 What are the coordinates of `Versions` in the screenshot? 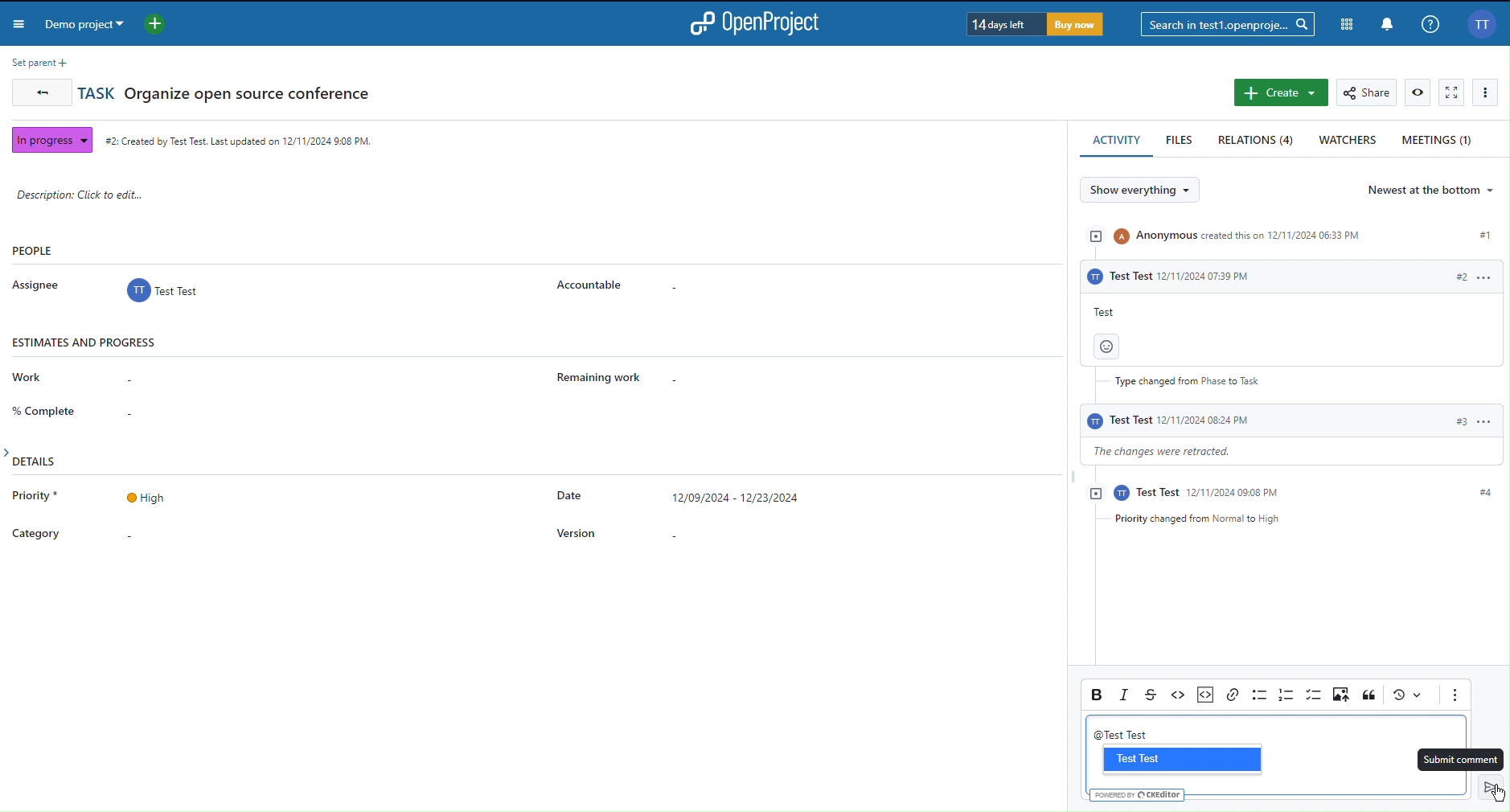 It's located at (1406, 695).